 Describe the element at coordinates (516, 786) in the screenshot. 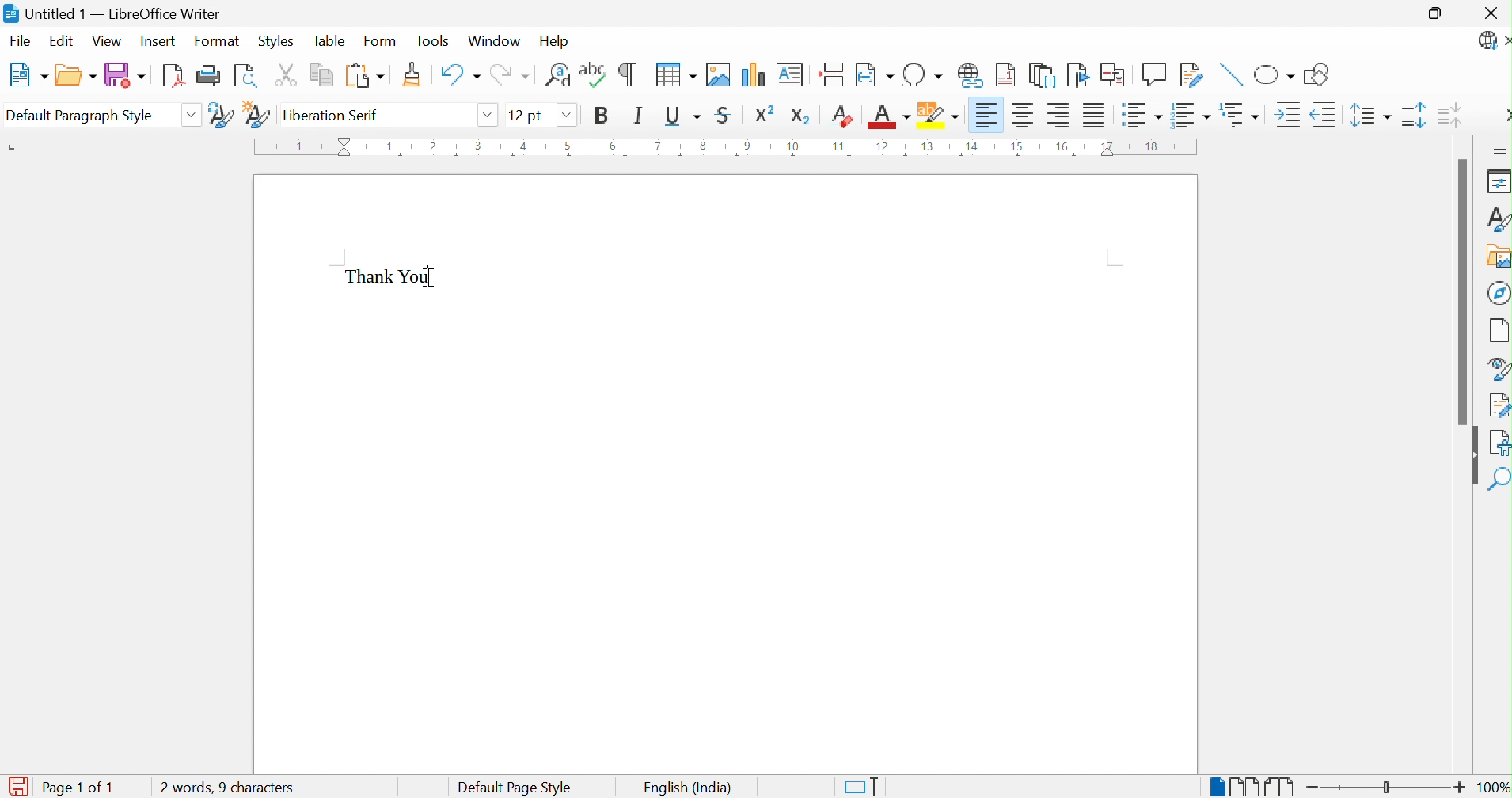

I see `Default Page Style` at that location.